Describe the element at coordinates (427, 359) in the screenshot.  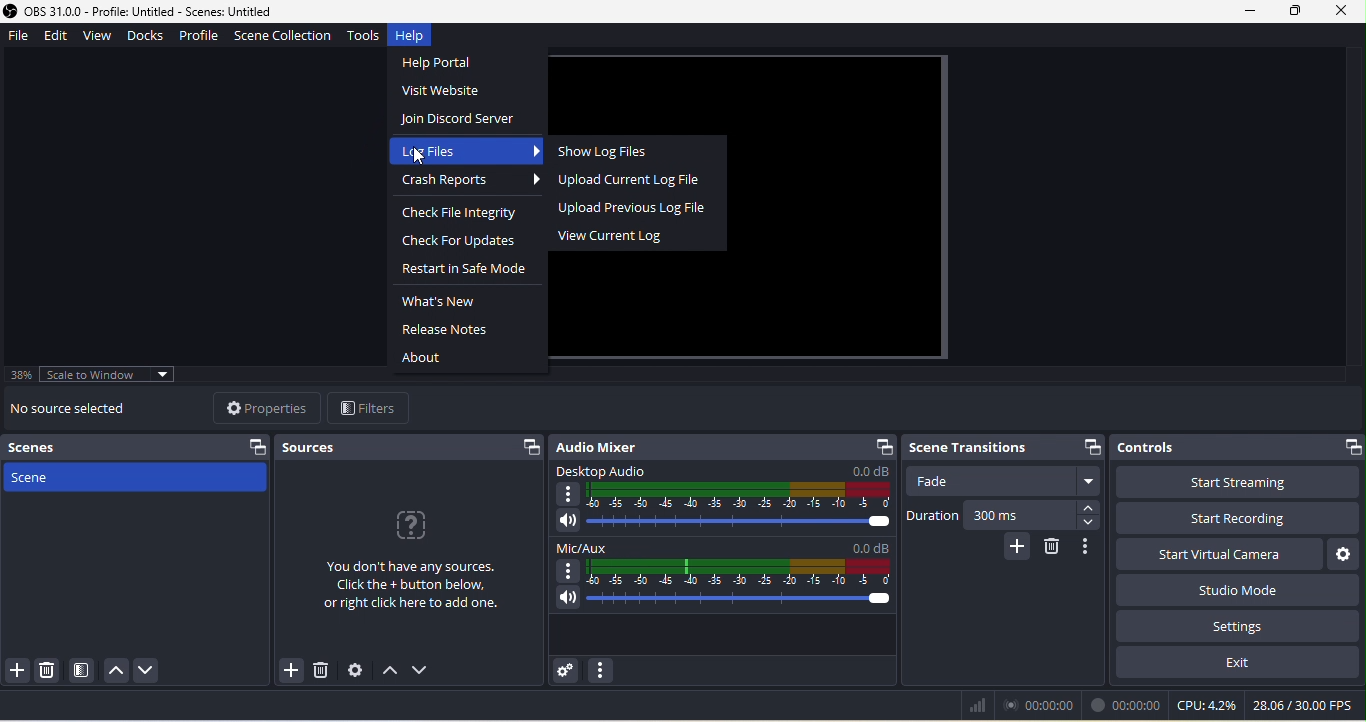
I see `about` at that location.